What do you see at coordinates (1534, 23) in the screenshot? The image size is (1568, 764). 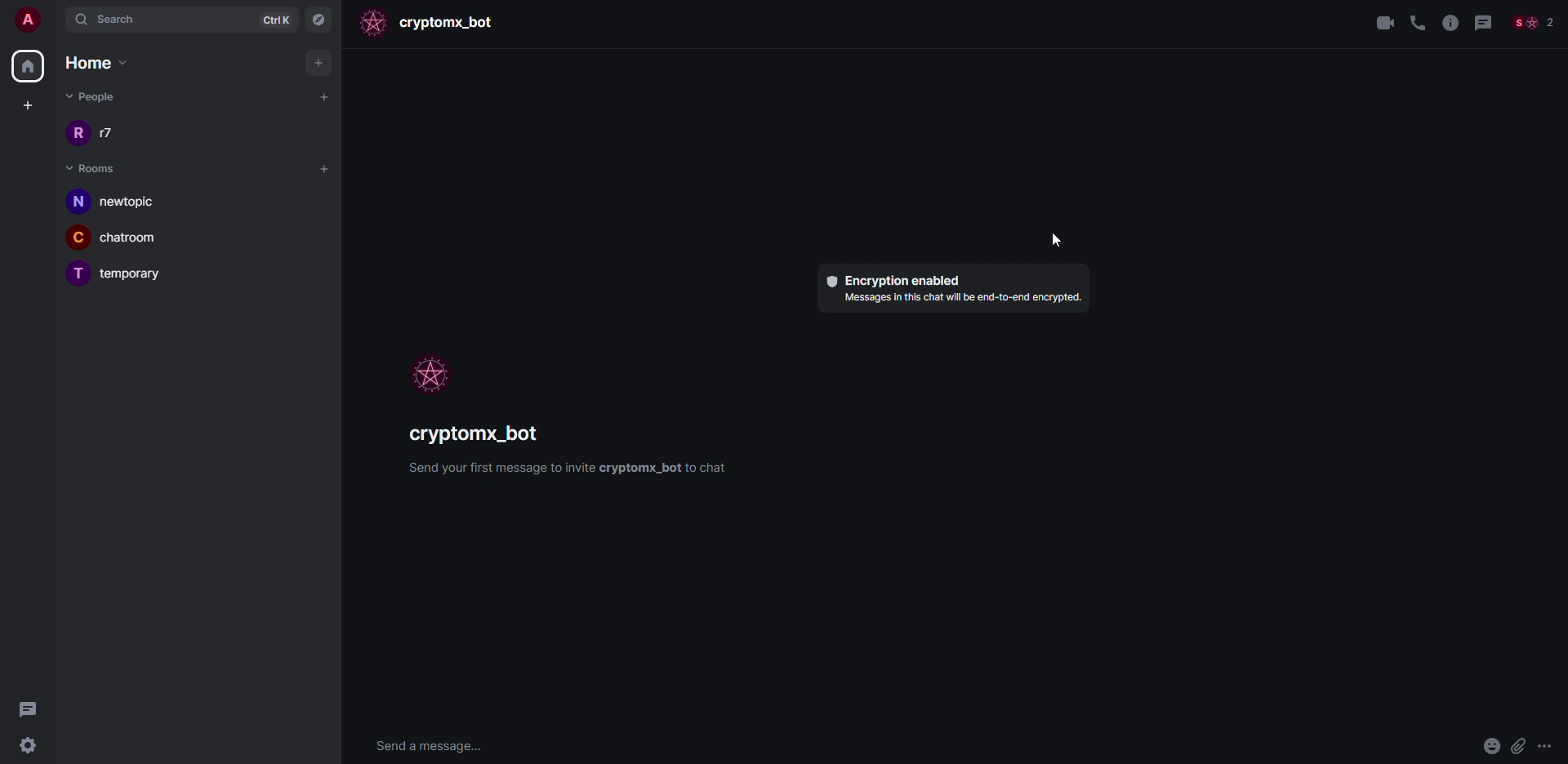 I see `people` at bounding box center [1534, 23].